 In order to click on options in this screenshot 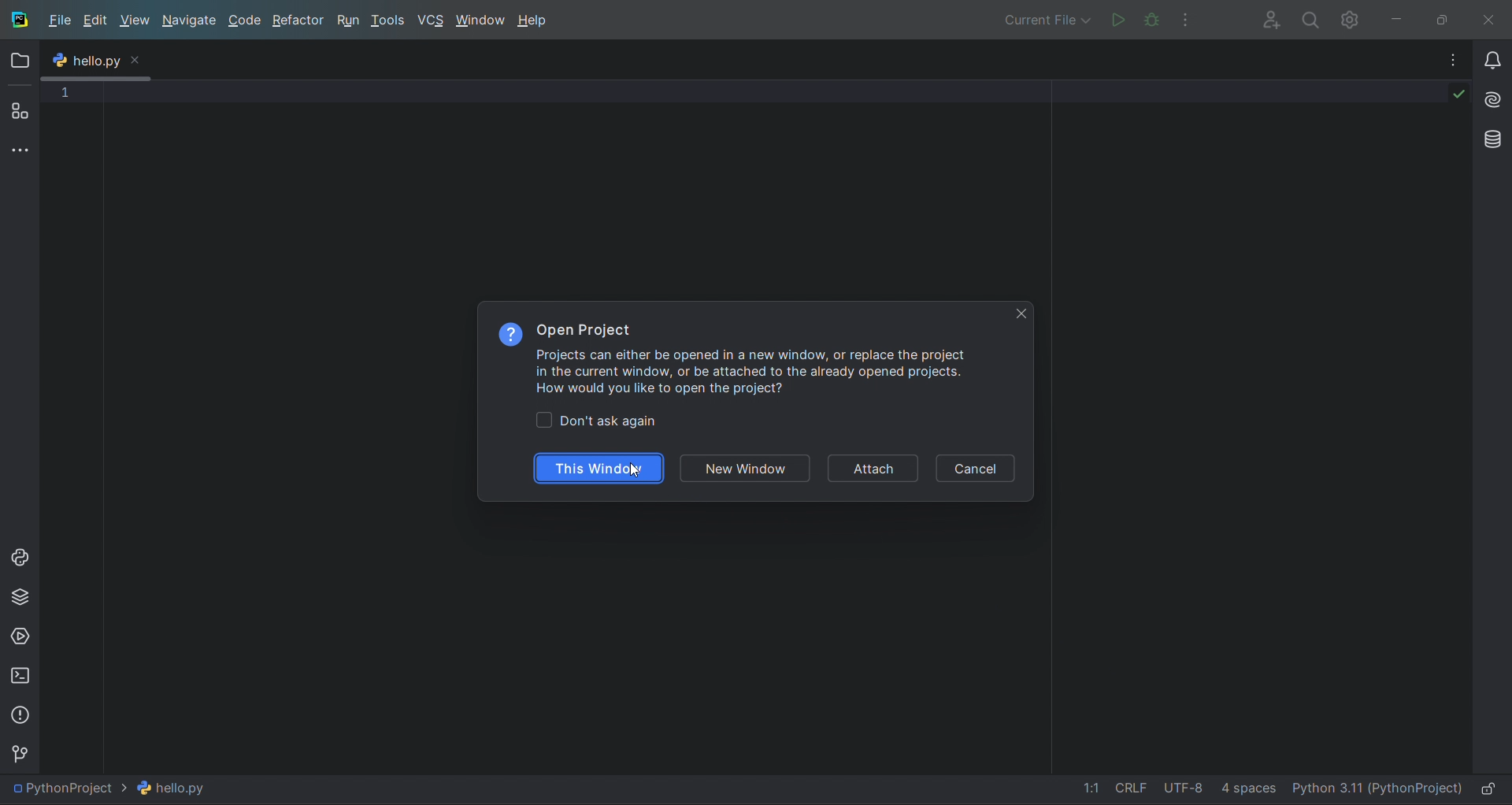, I will do `click(1192, 18)`.